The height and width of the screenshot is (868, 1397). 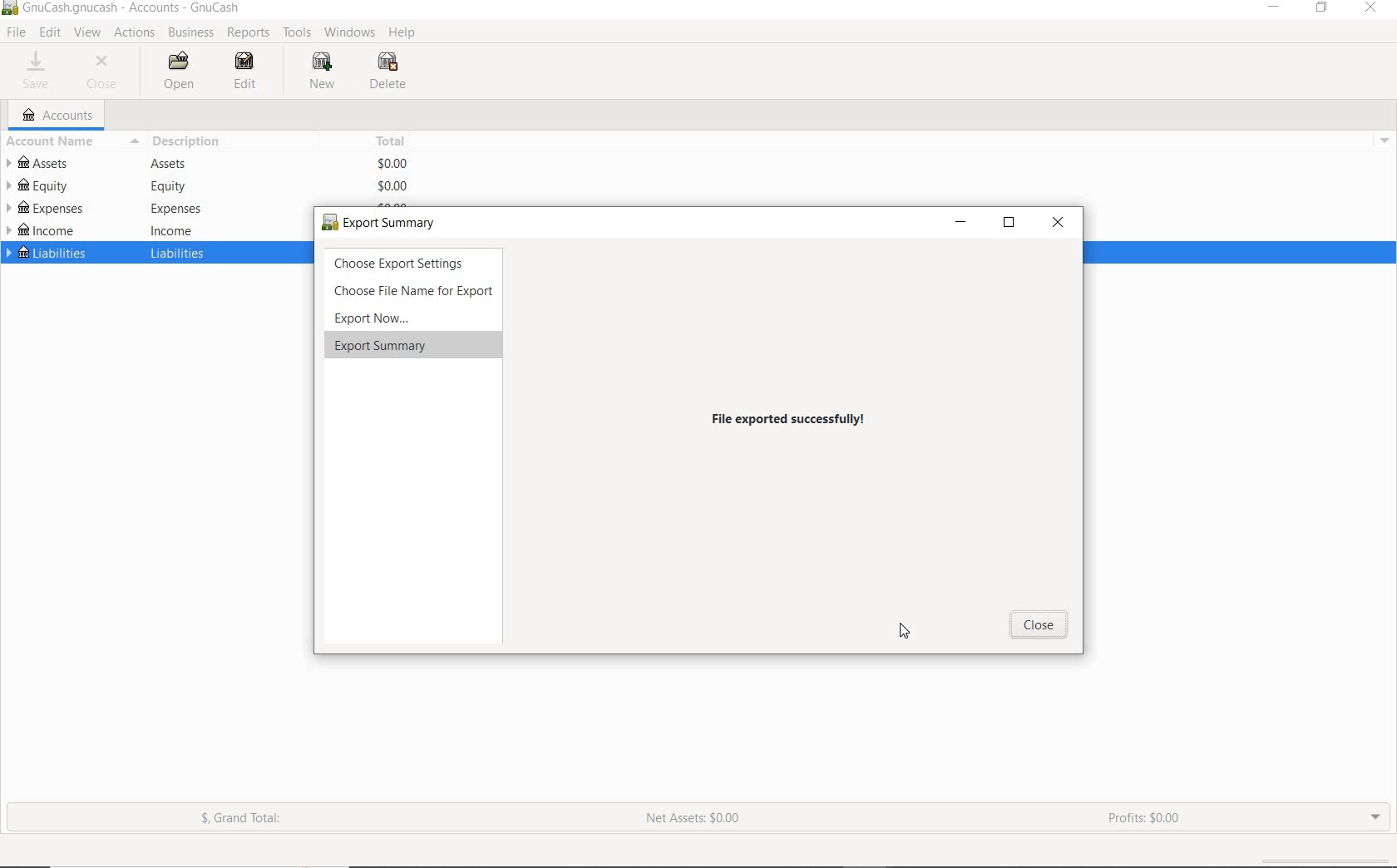 What do you see at coordinates (348, 33) in the screenshot?
I see `WINDOWS` at bounding box center [348, 33].